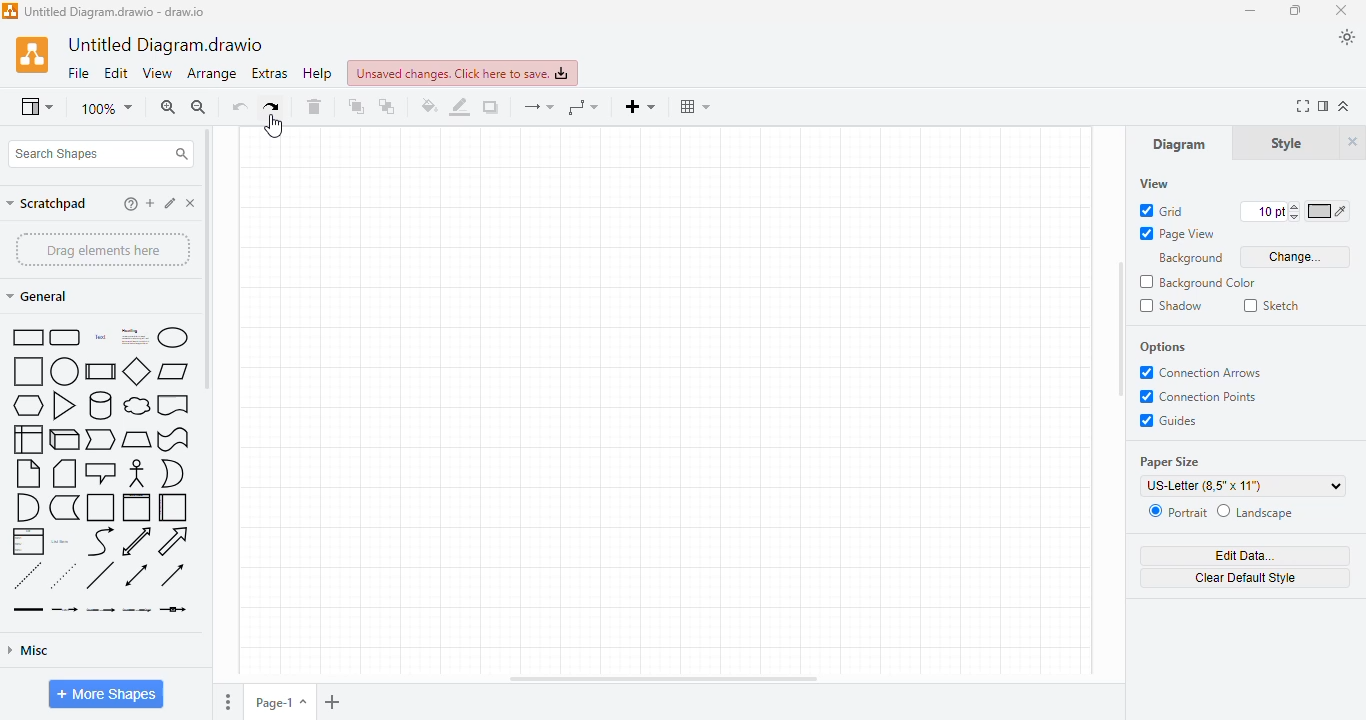 The image size is (1366, 720). I want to click on actor, so click(137, 473).